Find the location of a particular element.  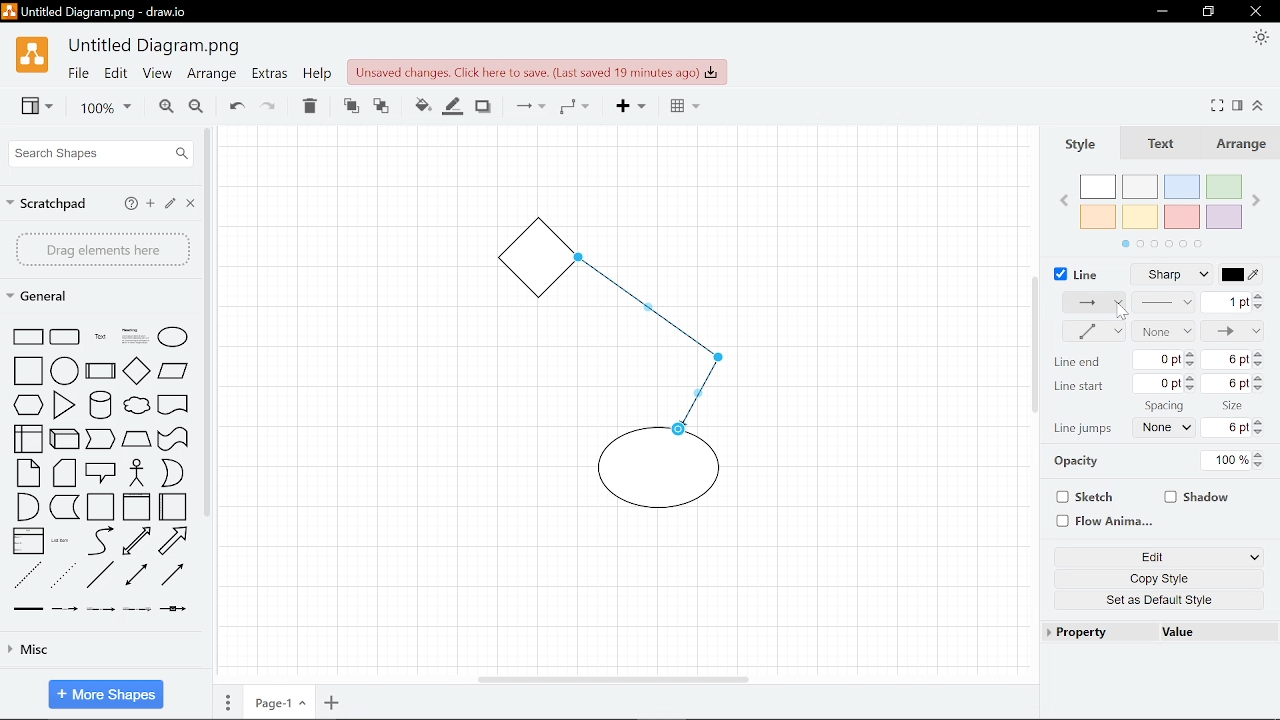

shape is located at coordinates (140, 408).